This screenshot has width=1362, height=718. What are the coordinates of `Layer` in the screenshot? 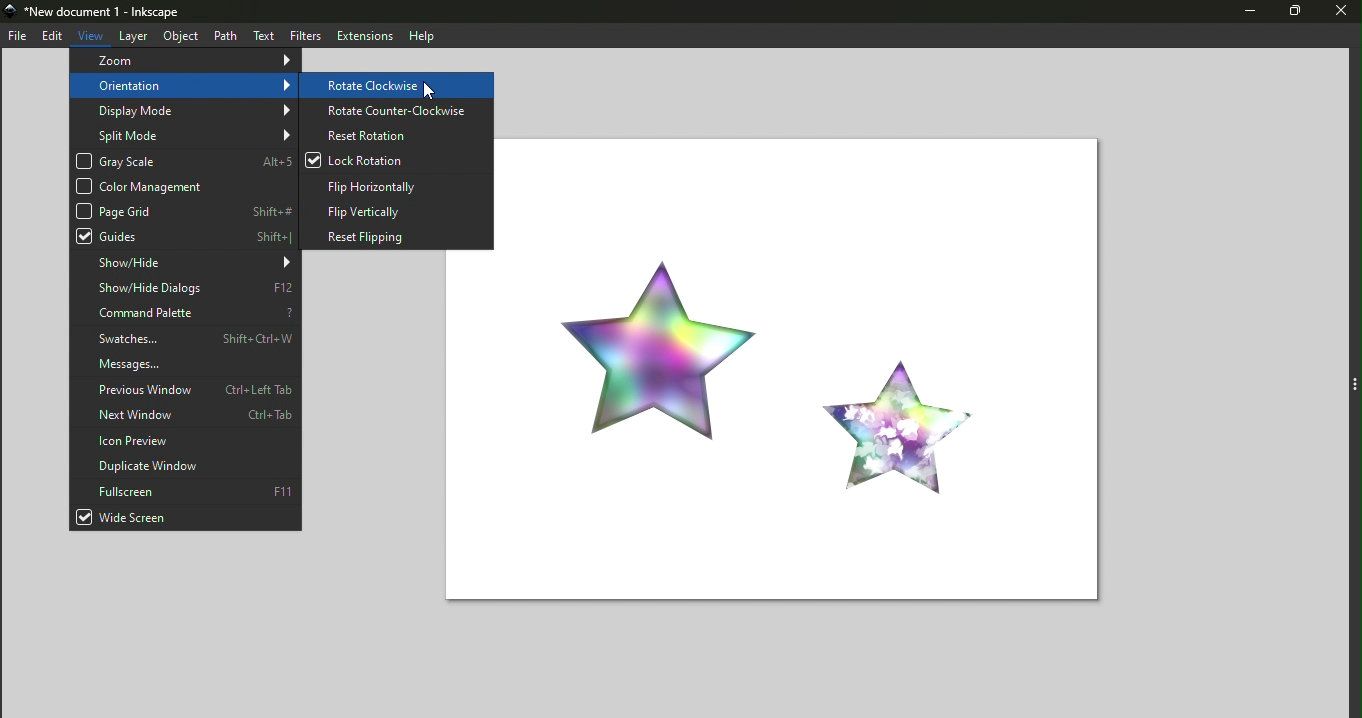 It's located at (133, 36).